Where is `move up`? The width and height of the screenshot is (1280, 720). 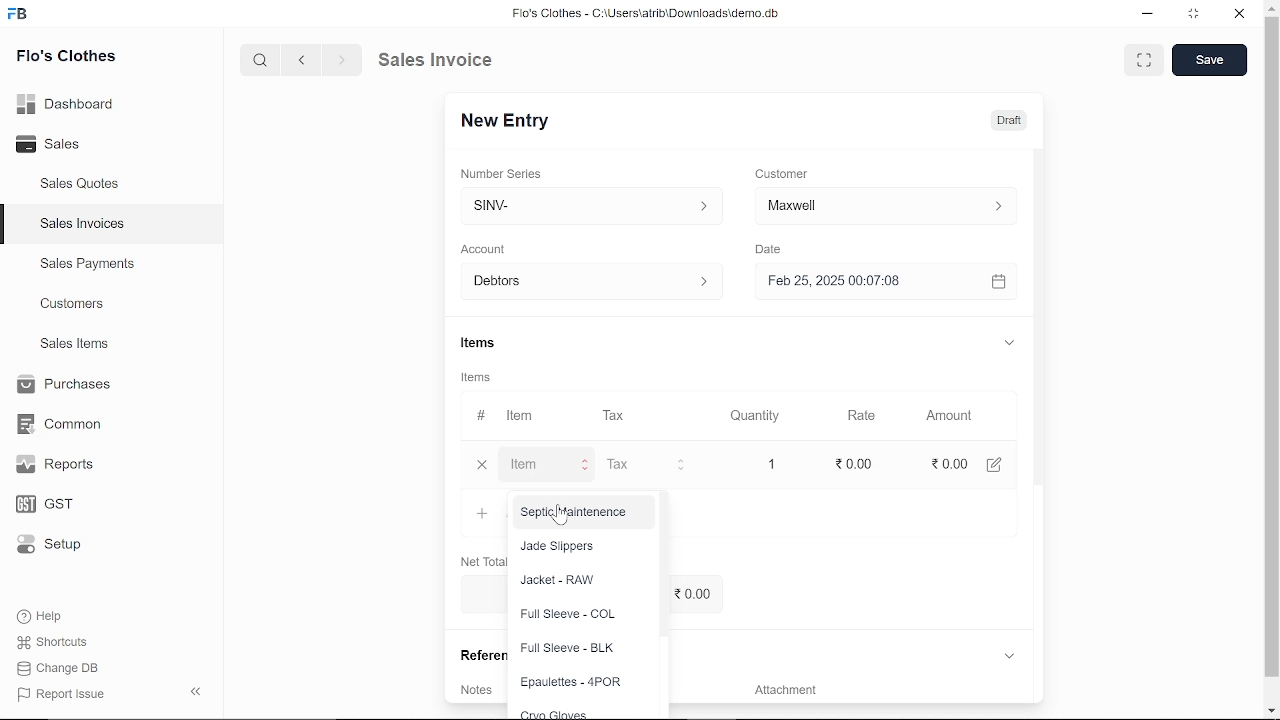
move up is located at coordinates (1272, 7).